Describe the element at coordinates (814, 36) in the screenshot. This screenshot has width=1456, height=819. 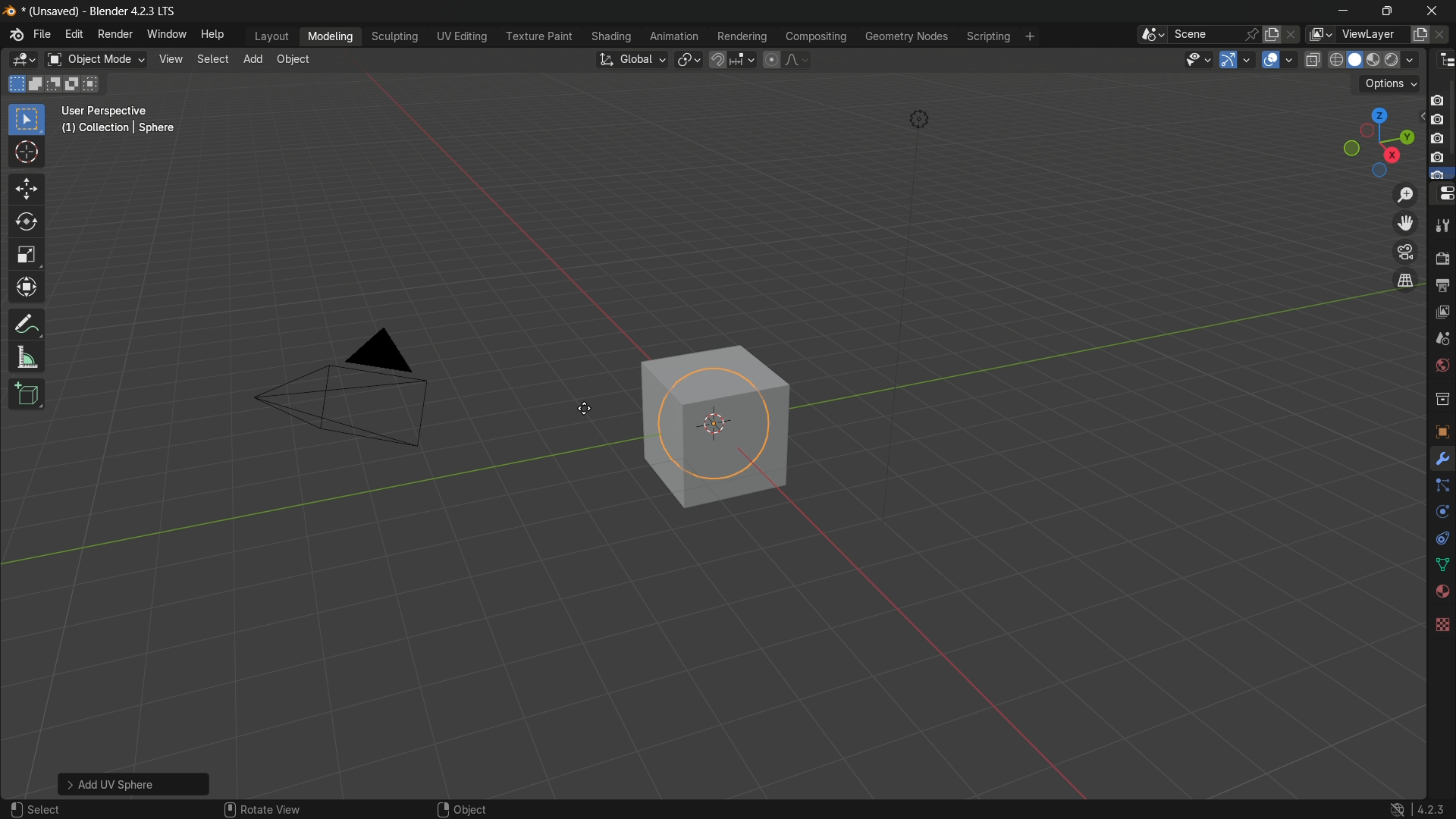
I see `compositing menu` at that location.